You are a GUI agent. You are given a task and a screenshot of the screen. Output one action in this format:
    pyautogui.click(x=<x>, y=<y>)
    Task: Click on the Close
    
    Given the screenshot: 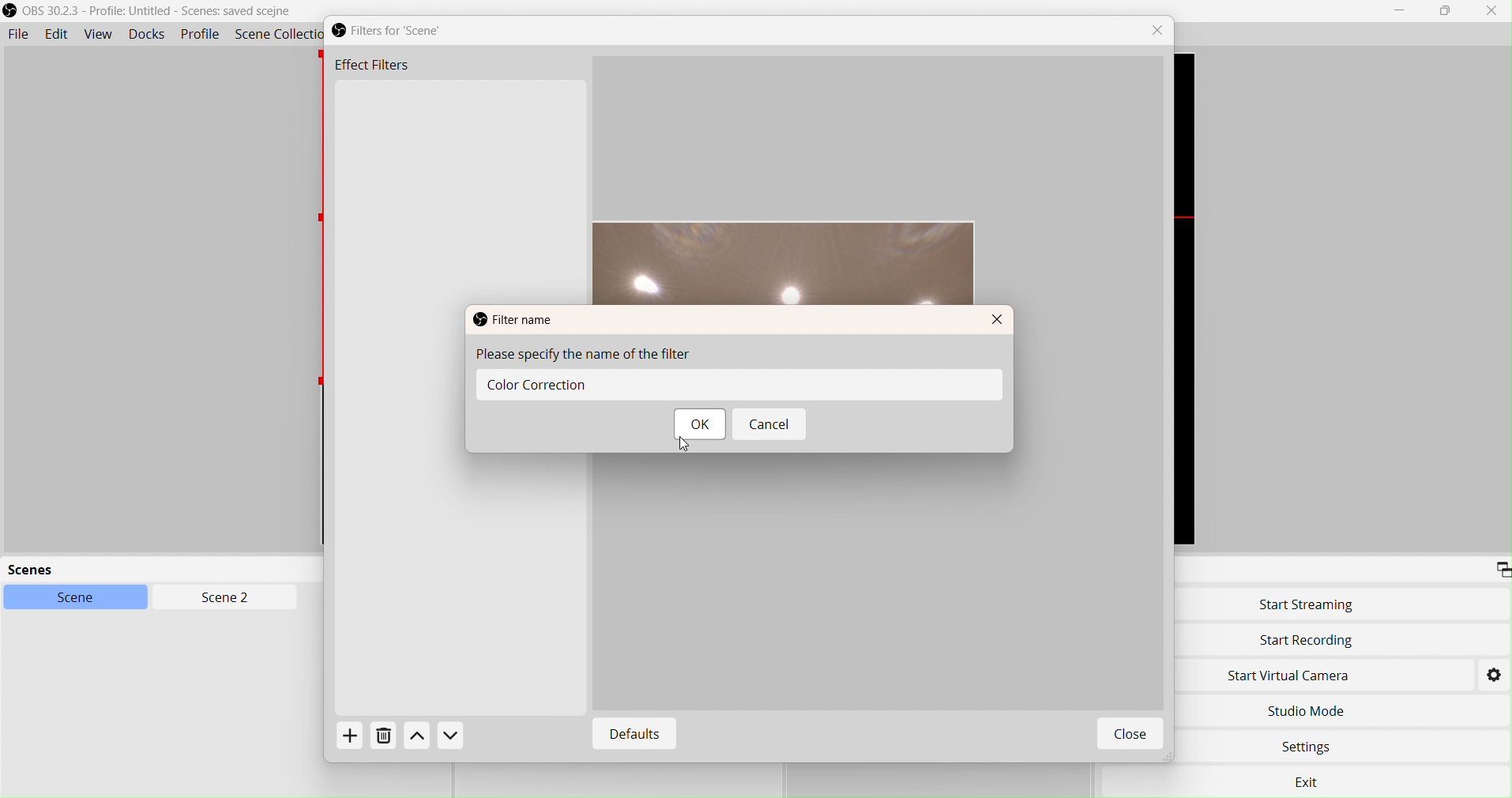 What is the action you would take?
    pyautogui.click(x=1128, y=736)
    